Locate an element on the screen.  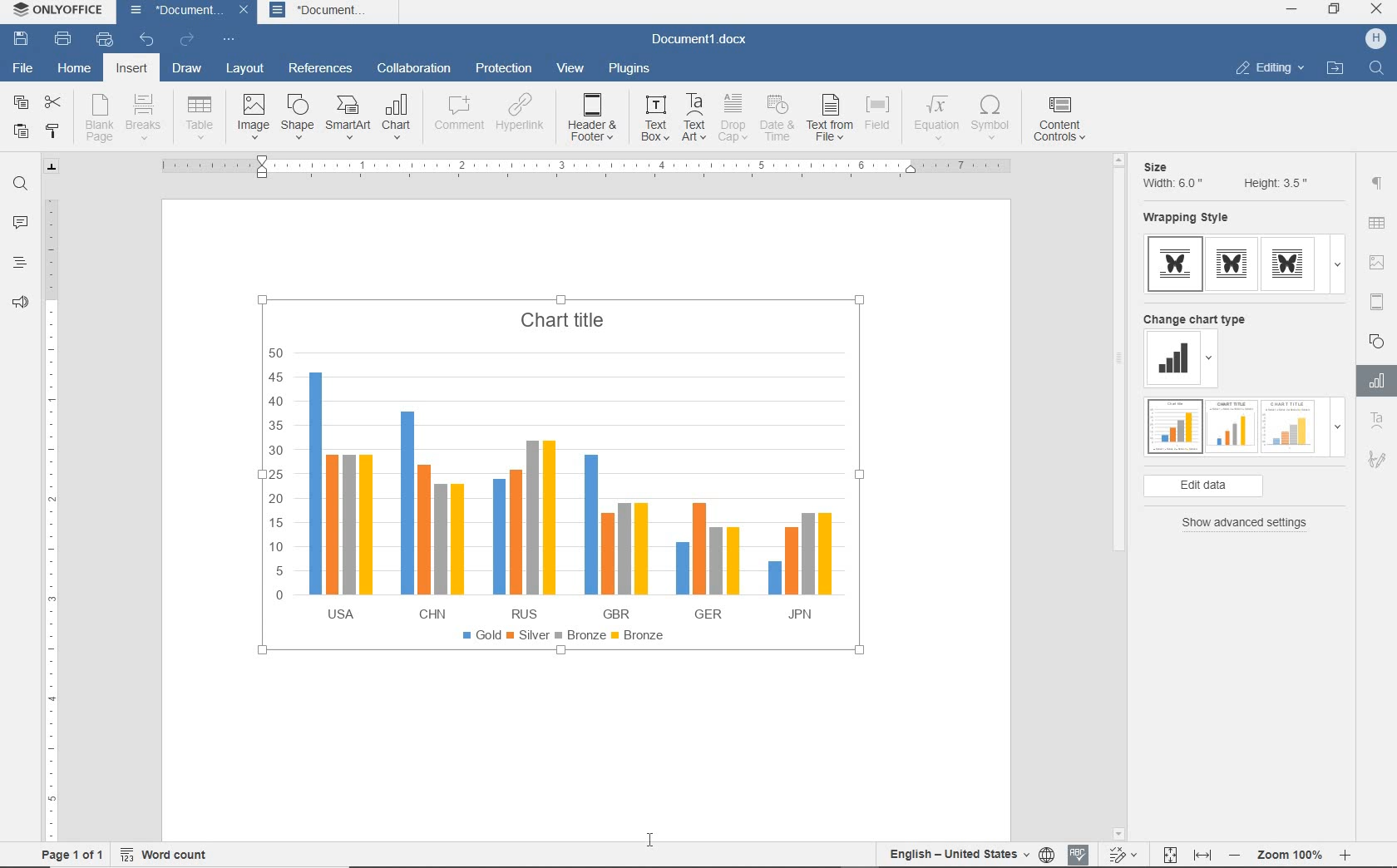
text language is located at coordinates (958, 853).